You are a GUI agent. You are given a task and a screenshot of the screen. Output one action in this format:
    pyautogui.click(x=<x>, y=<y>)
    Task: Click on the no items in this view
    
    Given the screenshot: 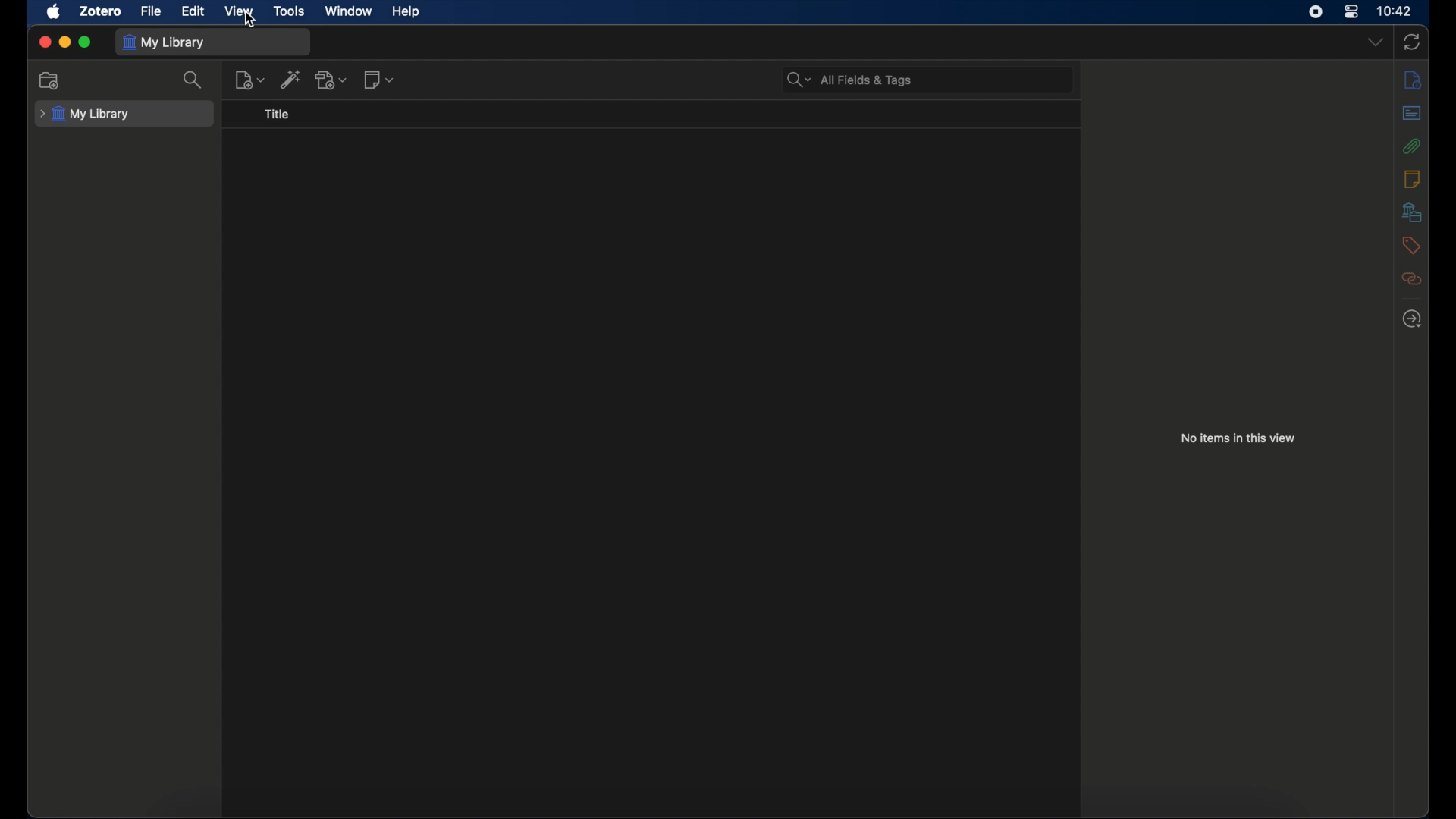 What is the action you would take?
    pyautogui.click(x=1238, y=438)
    